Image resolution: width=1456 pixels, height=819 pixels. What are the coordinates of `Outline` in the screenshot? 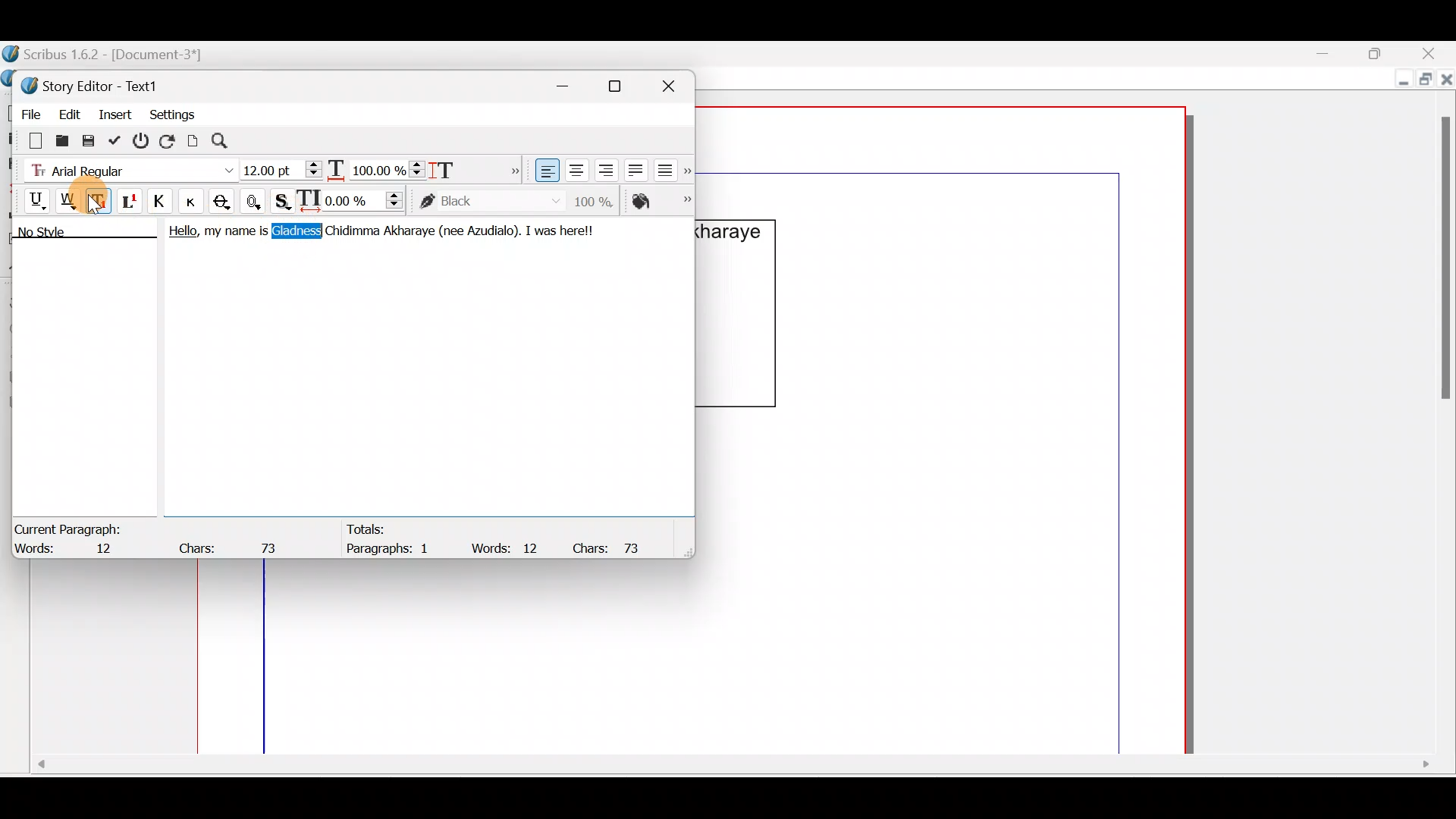 It's located at (256, 199).